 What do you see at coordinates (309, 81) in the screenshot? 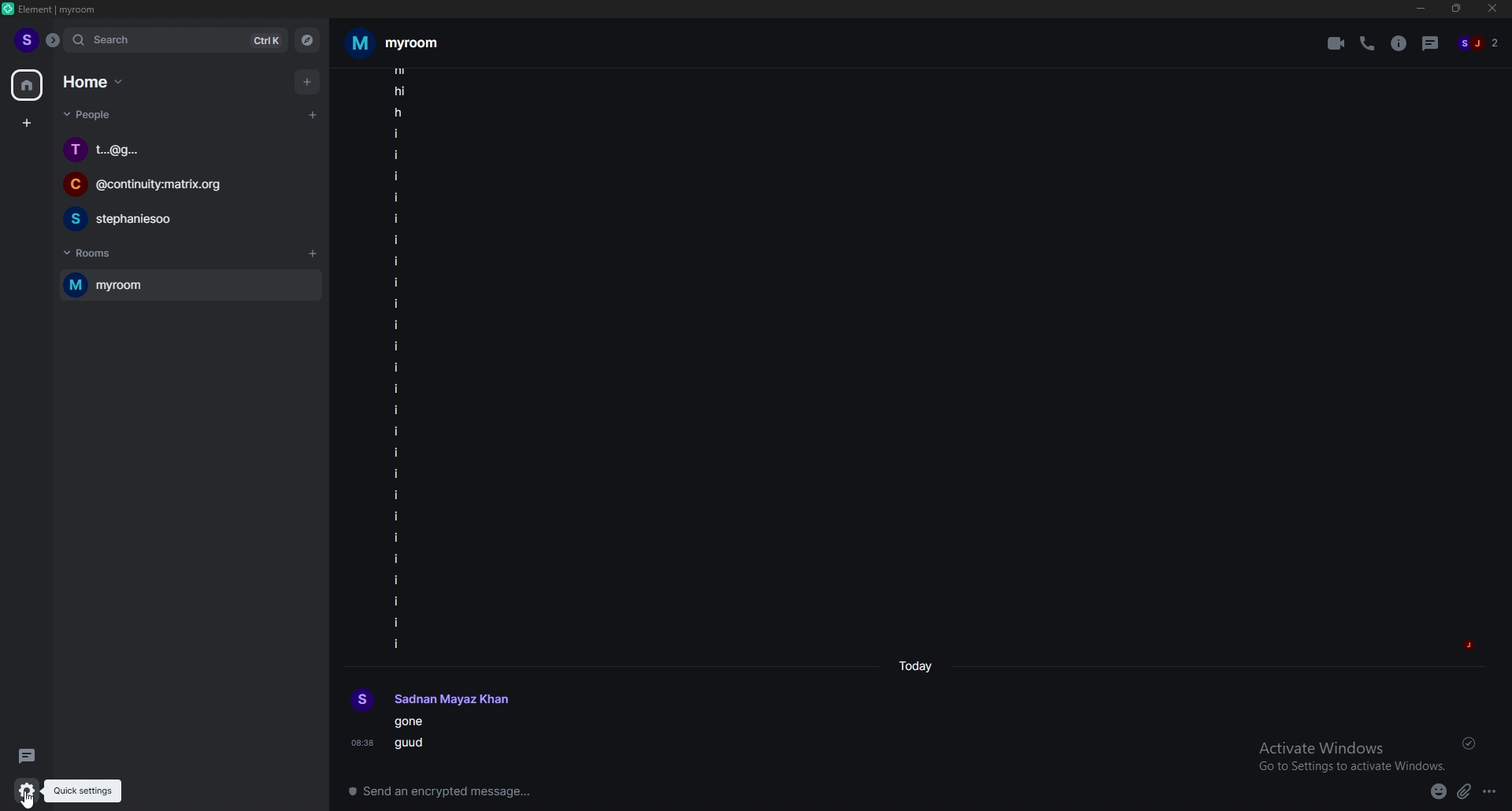
I see `add` at bounding box center [309, 81].